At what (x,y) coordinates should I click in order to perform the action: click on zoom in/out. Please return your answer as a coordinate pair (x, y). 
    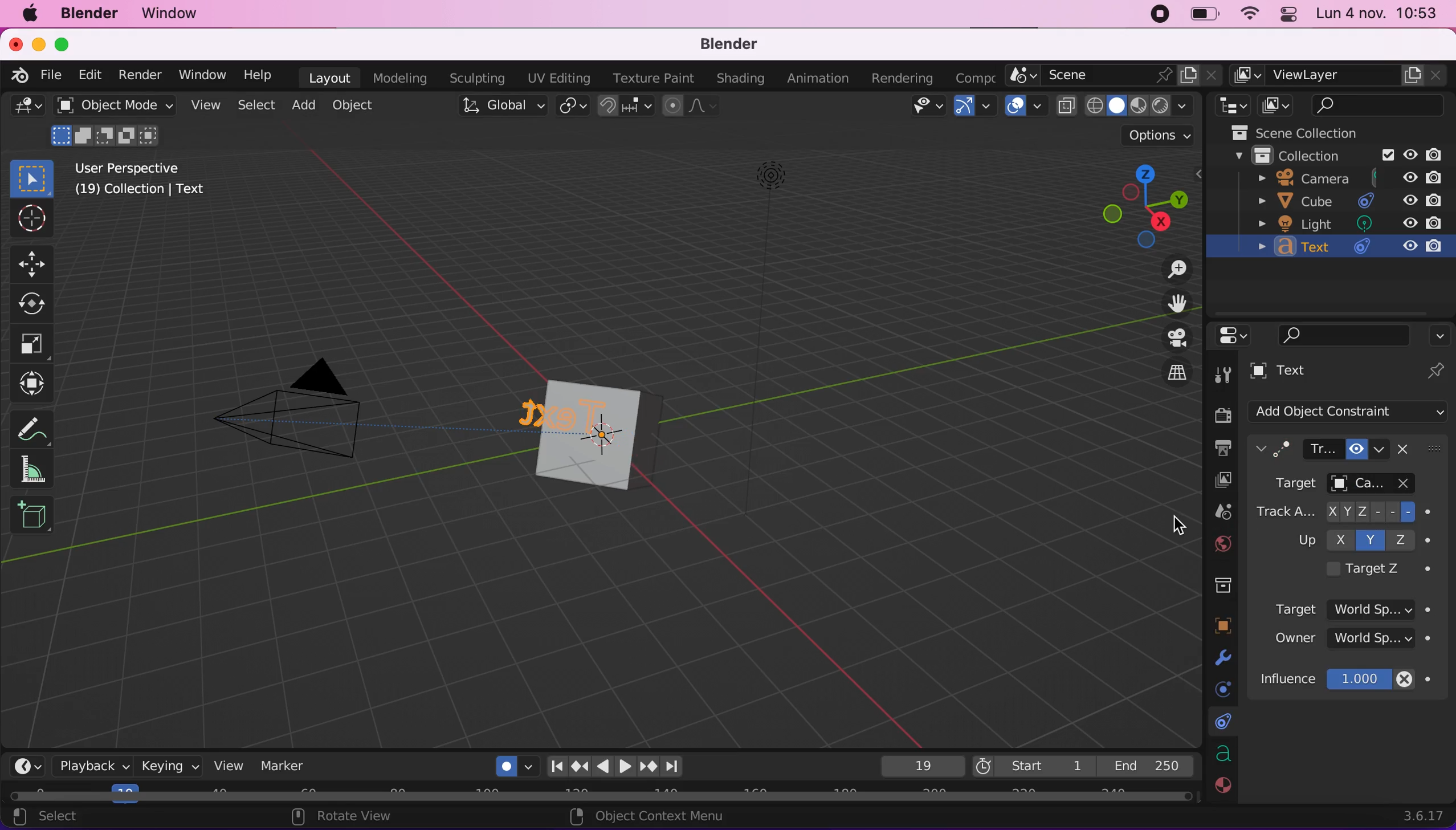
    Looking at the image, I should click on (1173, 272).